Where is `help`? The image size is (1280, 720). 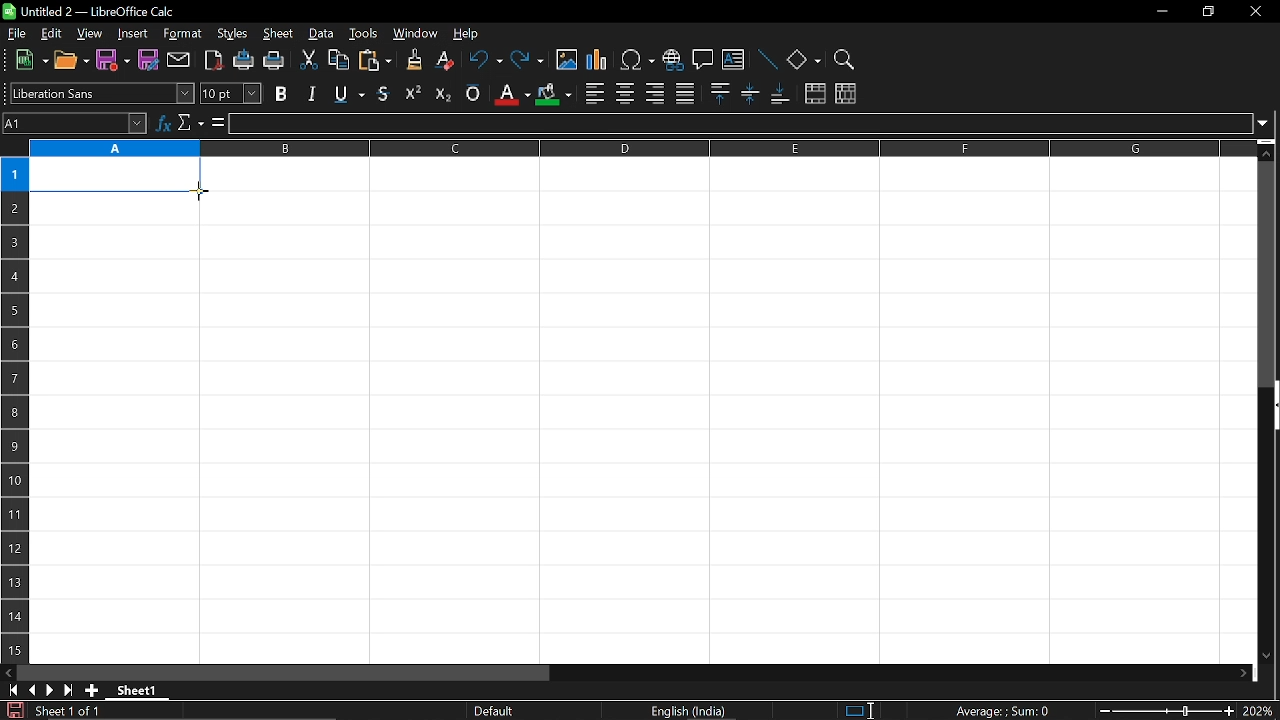 help is located at coordinates (474, 32).